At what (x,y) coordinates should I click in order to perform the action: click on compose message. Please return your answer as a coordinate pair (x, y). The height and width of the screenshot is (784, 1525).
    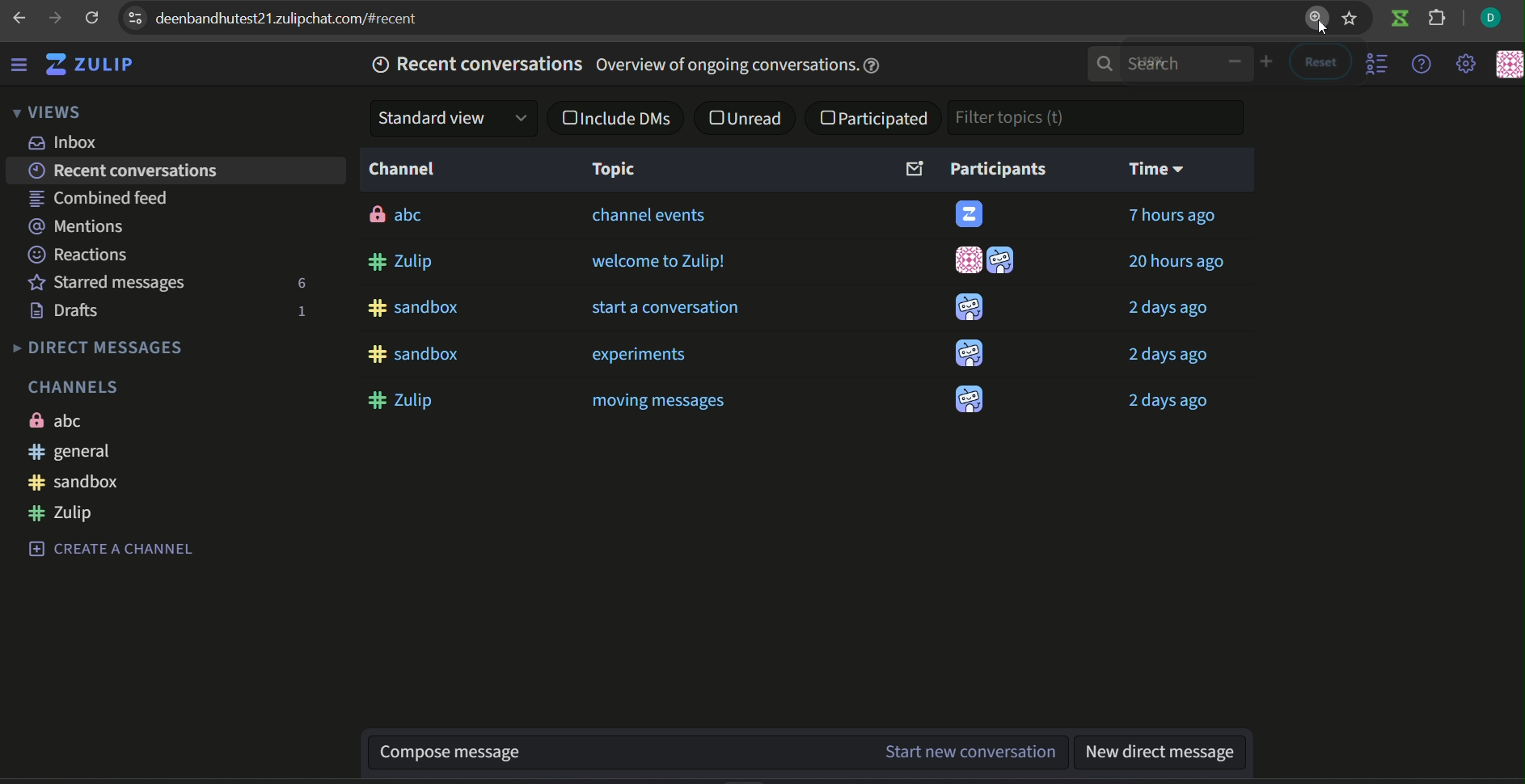
    Looking at the image, I should click on (618, 752).